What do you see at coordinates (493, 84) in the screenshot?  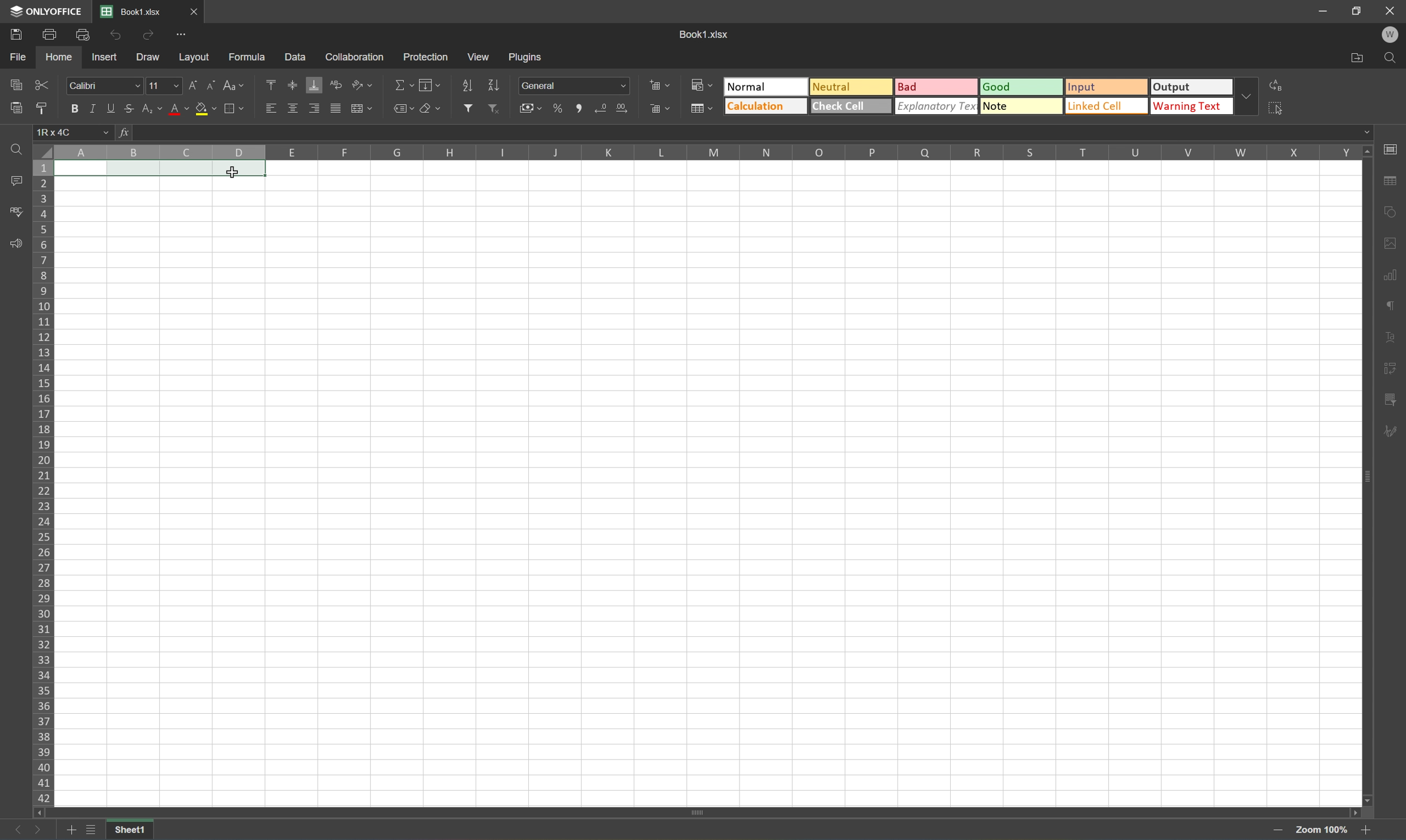 I see `Sort descending` at bounding box center [493, 84].